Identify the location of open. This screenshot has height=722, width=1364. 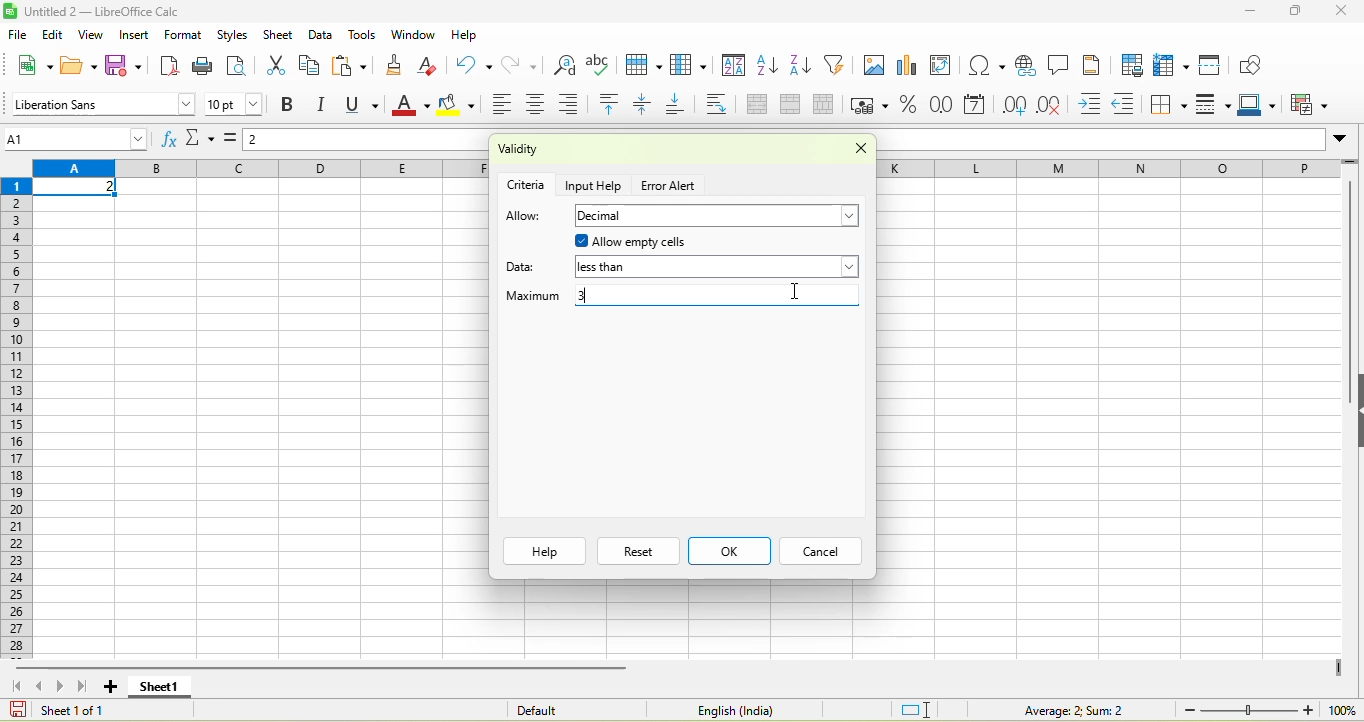
(79, 64).